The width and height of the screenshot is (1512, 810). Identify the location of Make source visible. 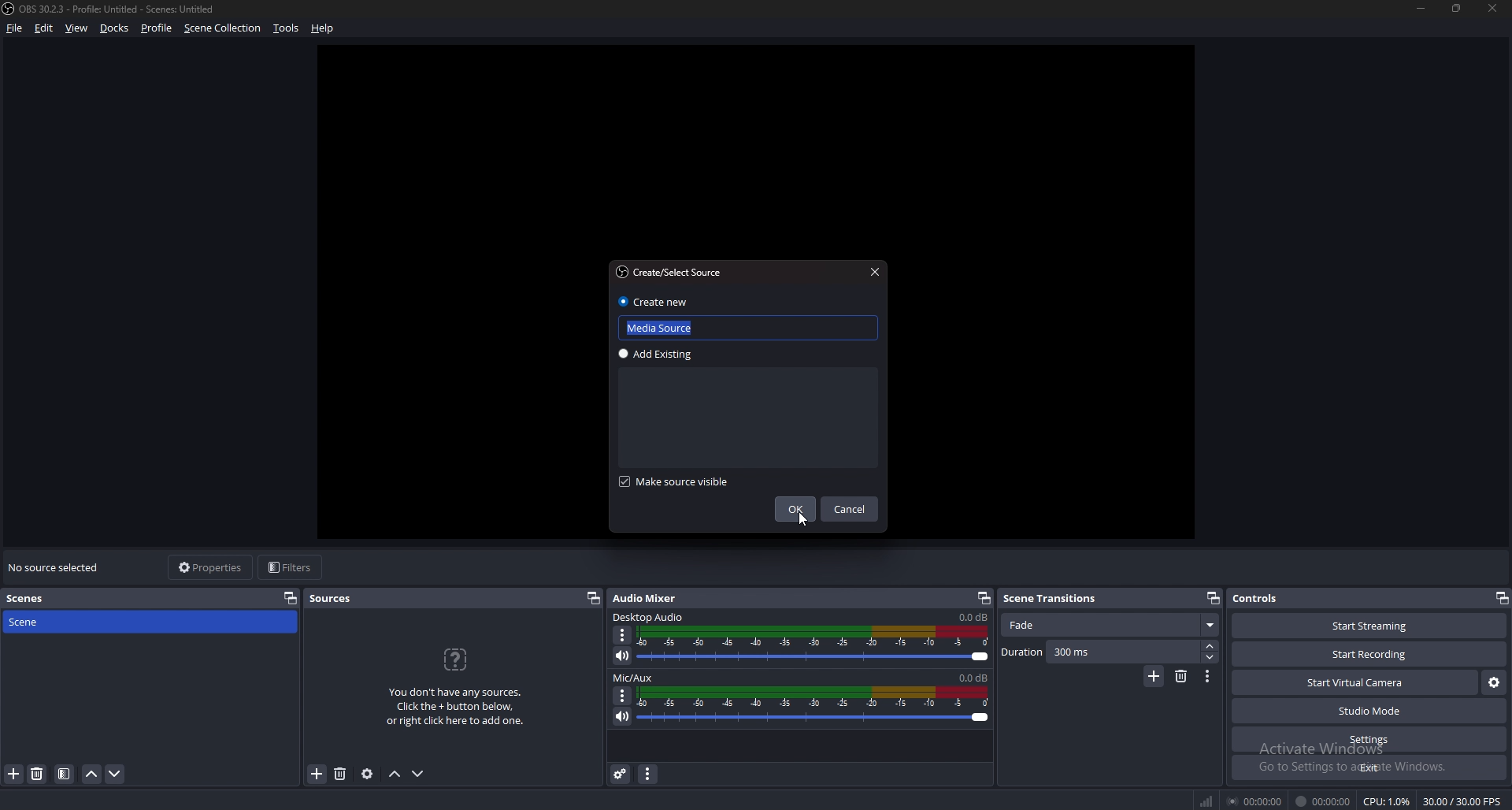
(676, 482).